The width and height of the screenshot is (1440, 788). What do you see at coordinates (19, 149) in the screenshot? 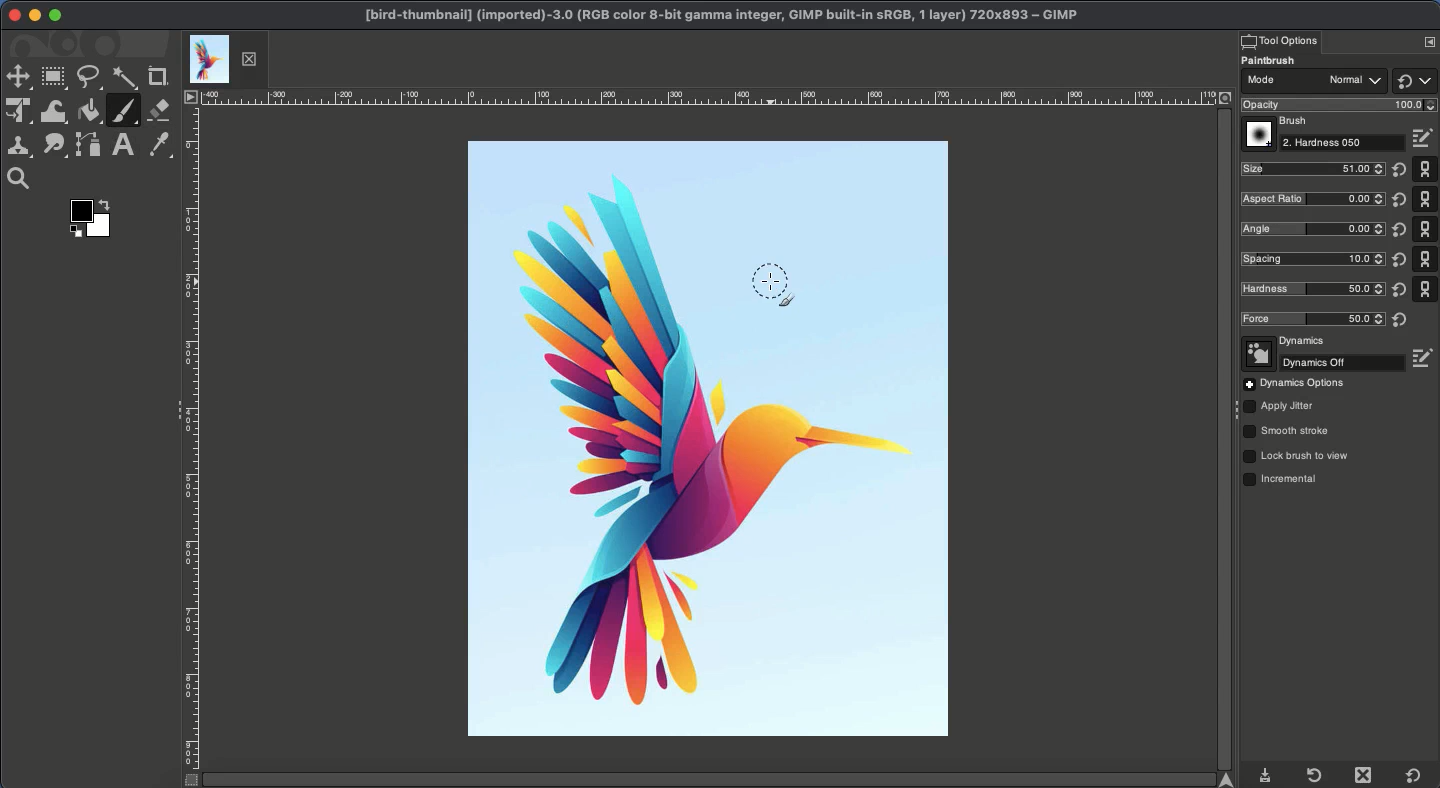
I see `Clone` at bounding box center [19, 149].